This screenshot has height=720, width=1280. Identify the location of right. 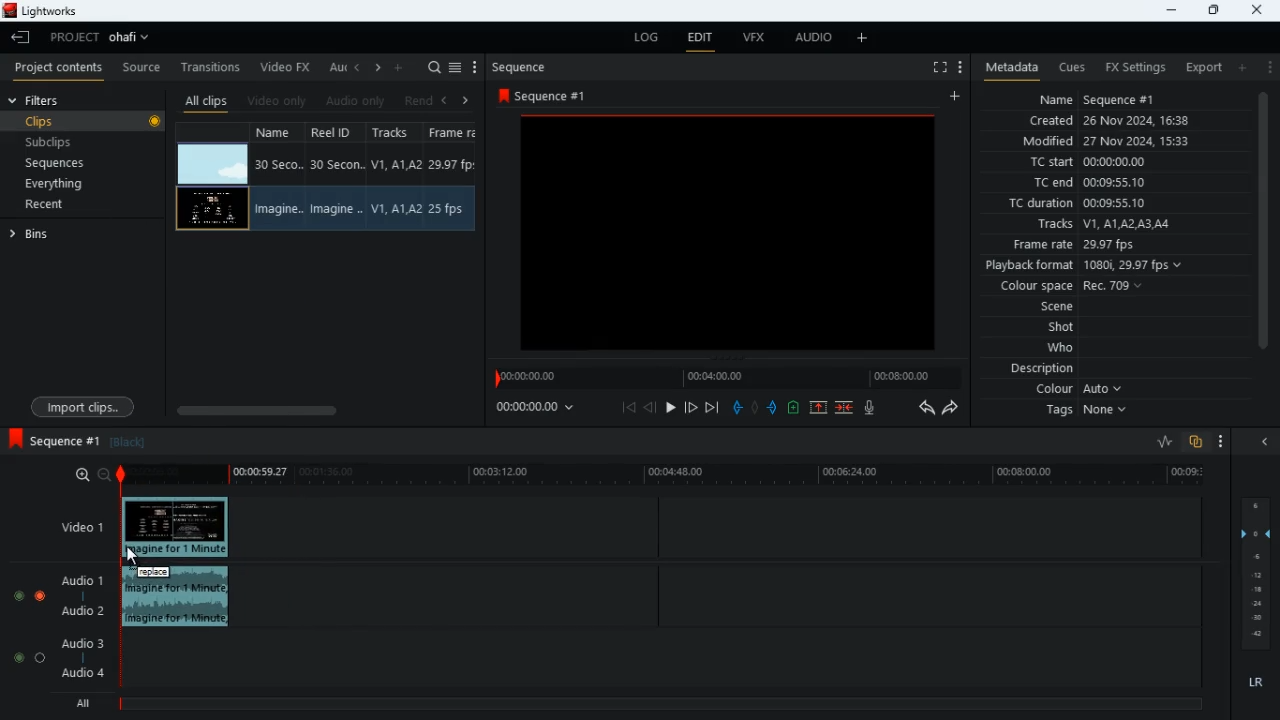
(379, 69).